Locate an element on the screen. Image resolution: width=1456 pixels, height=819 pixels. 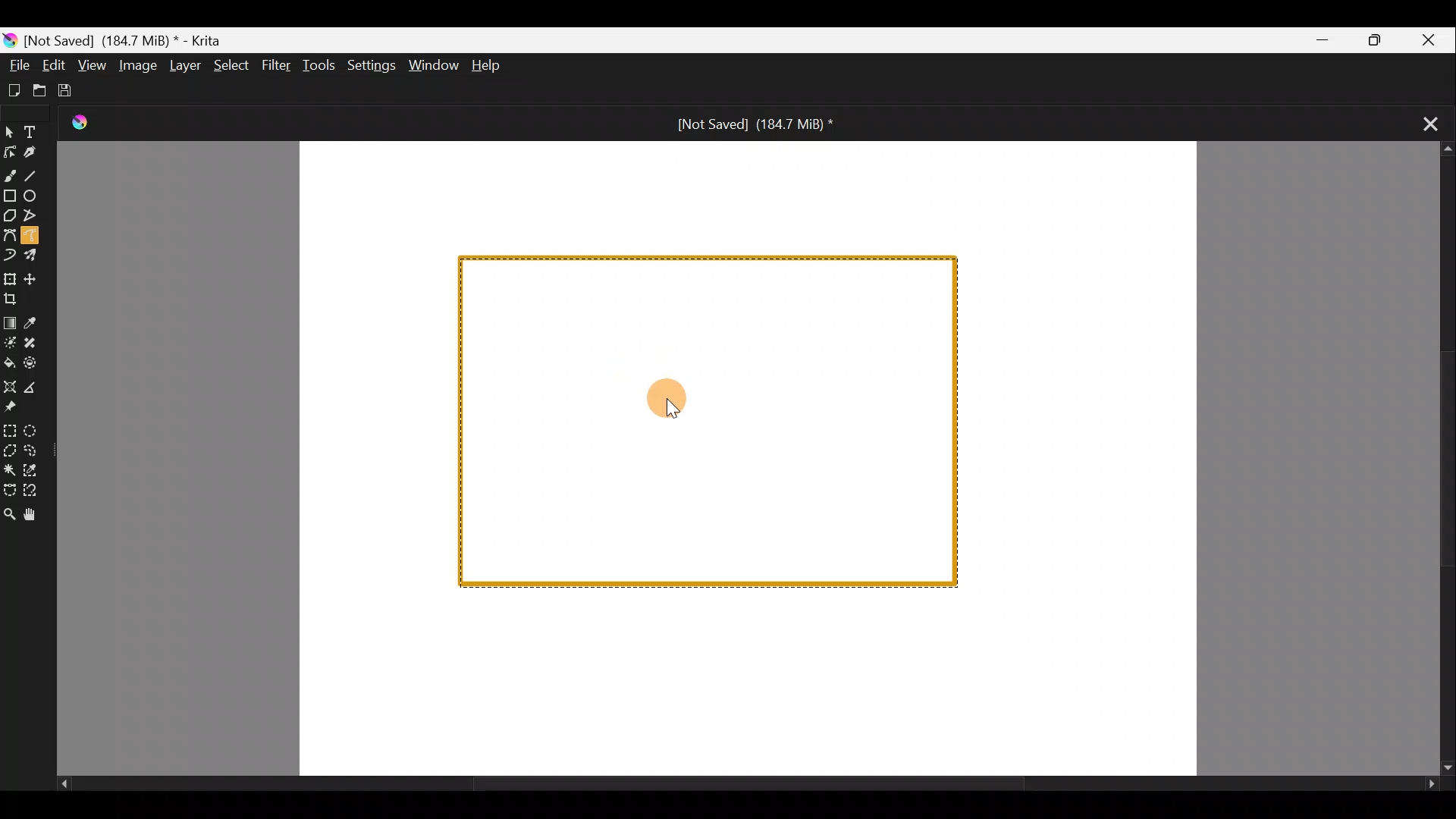
Text tool is located at coordinates (36, 130).